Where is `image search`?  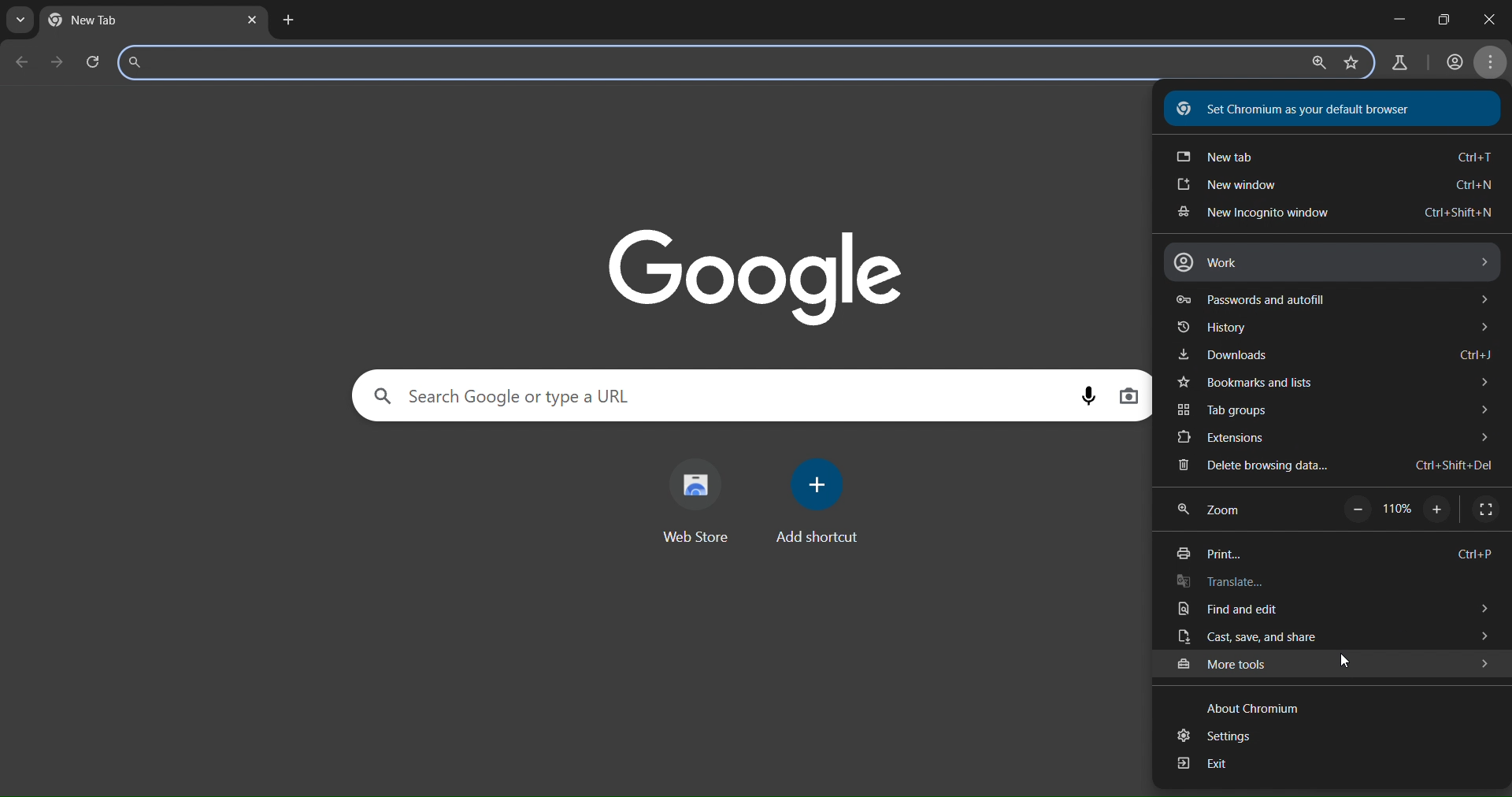 image search is located at coordinates (1129, 398).